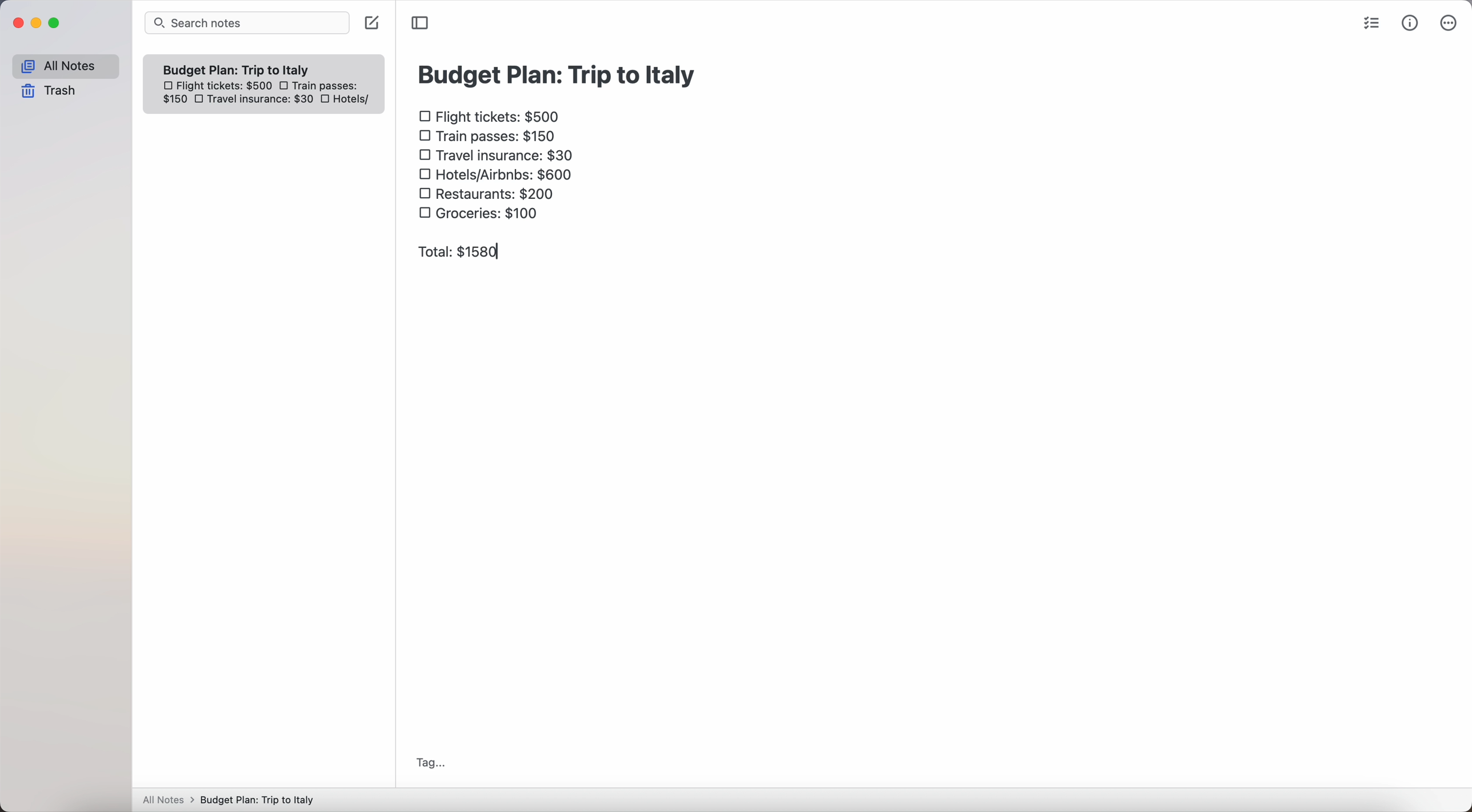 The height and width of the screenshot is (812, 1472). I want to click on Budget plan trip to Italy note, so click(238, 69).